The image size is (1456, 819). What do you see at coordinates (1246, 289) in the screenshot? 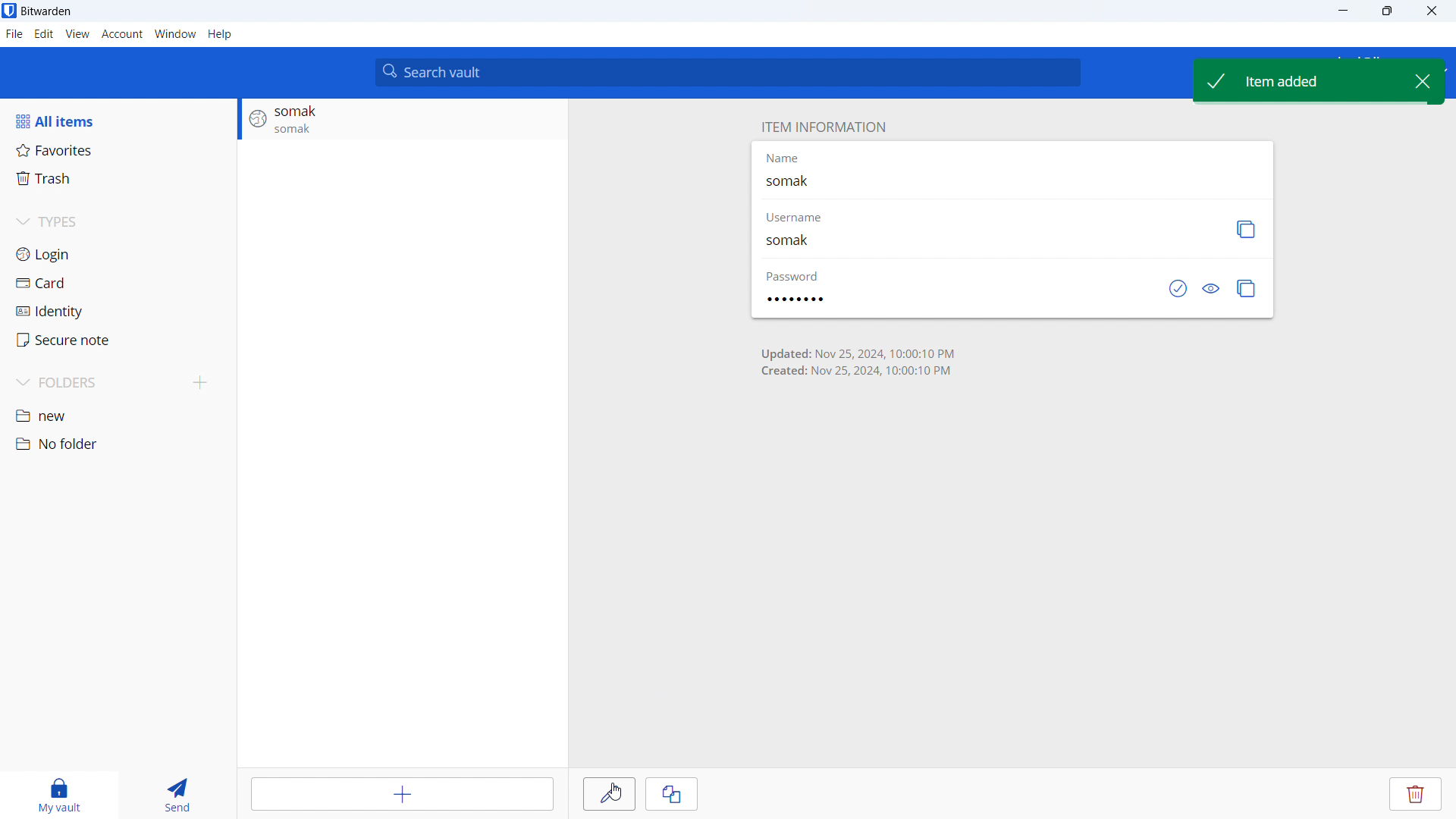
I see `copy password` at bounding box center [1246, 289].